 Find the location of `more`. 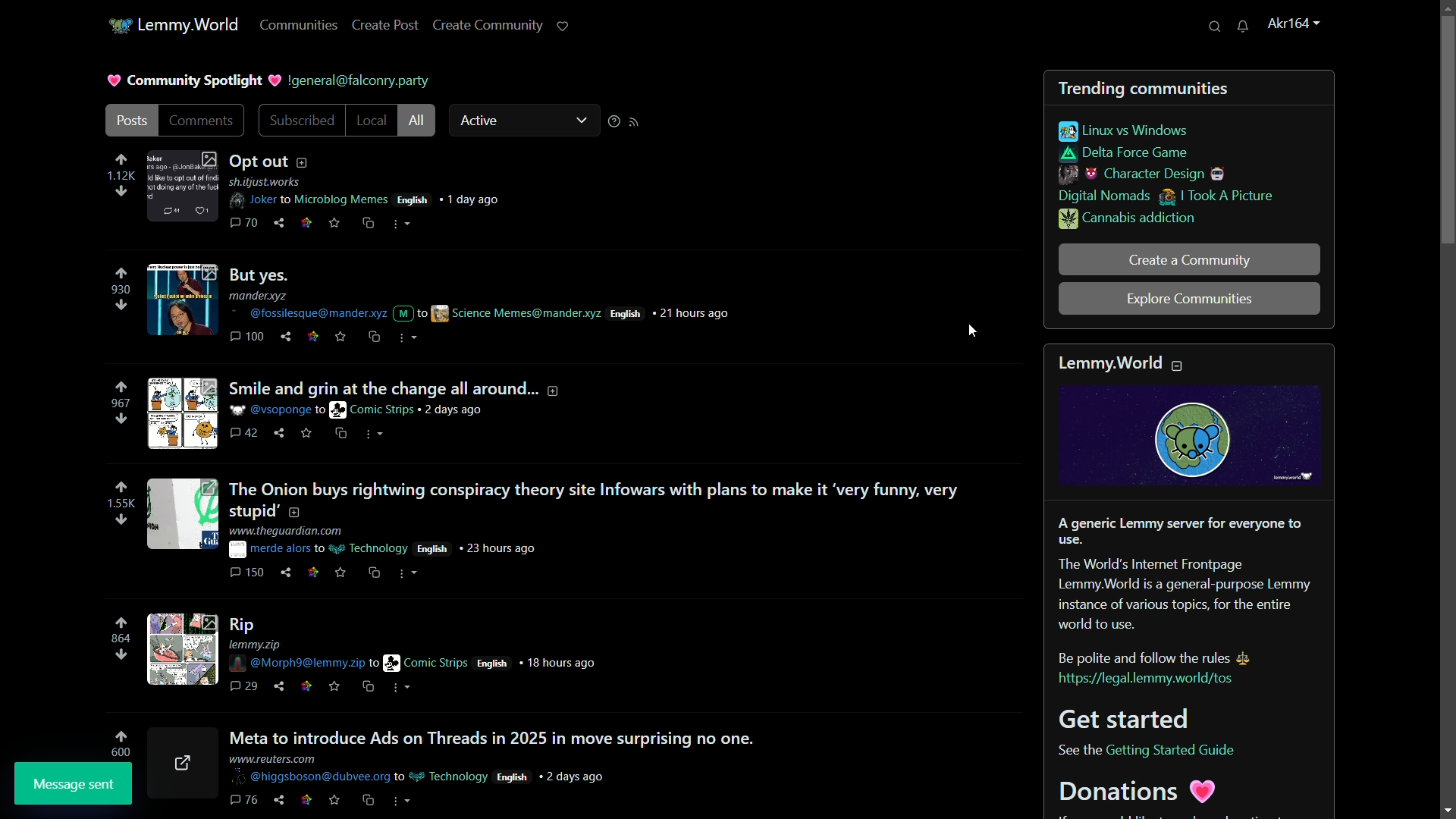

more is located at coordinates (370, 435).